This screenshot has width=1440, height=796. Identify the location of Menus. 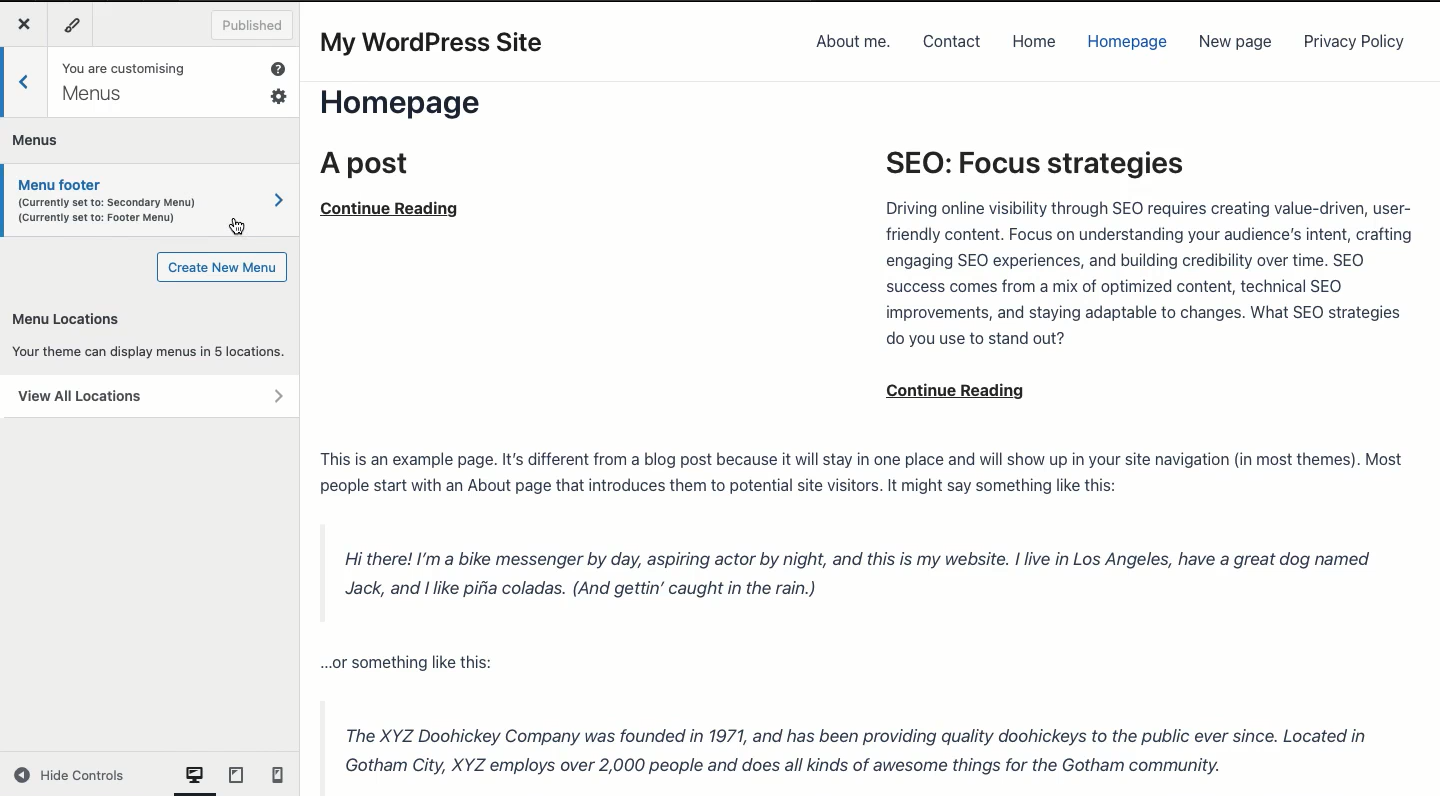
(40, 143).